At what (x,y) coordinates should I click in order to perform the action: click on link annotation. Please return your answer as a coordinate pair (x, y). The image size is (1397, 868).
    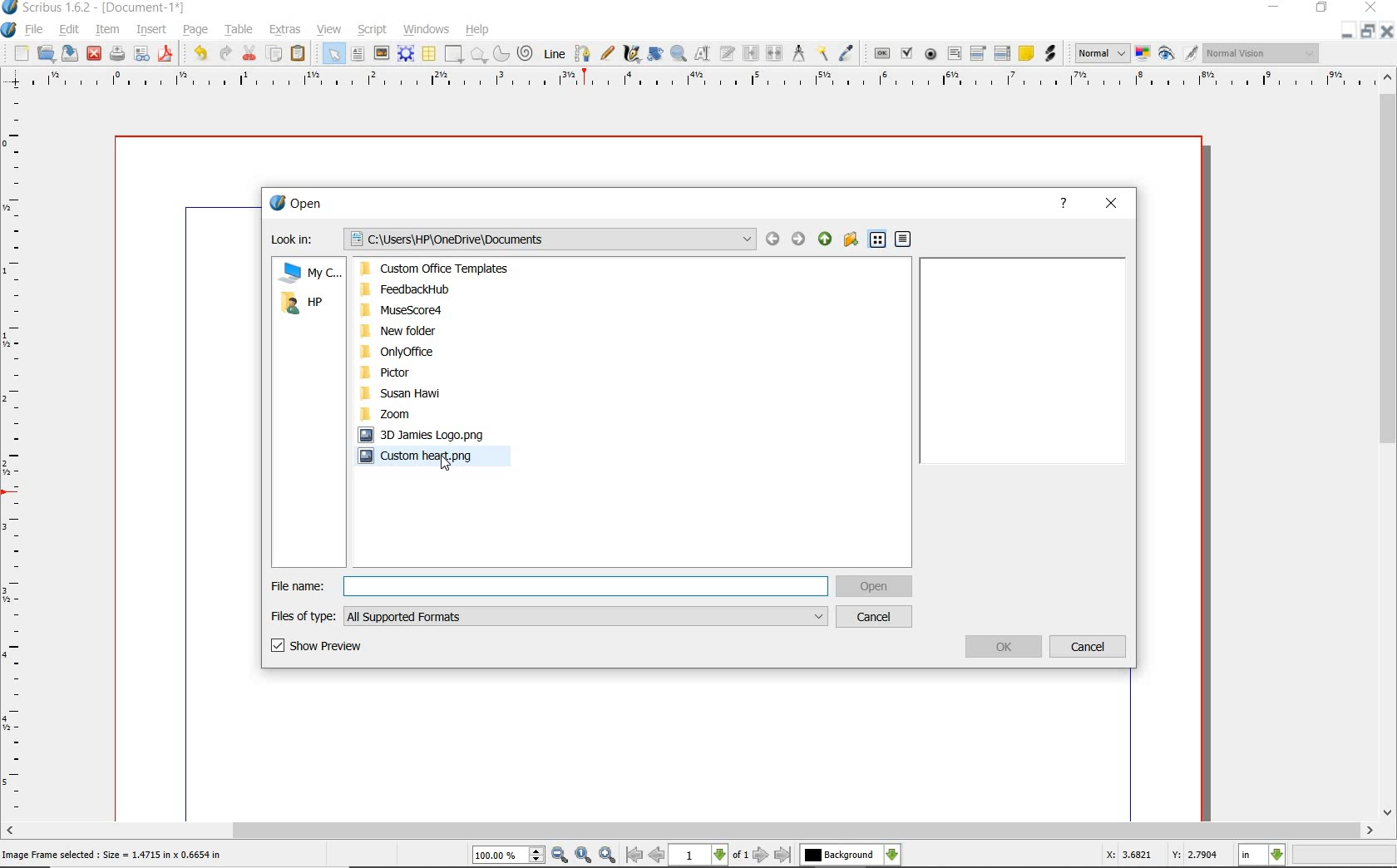
    Looking at the image, I should click on (1049, 53).